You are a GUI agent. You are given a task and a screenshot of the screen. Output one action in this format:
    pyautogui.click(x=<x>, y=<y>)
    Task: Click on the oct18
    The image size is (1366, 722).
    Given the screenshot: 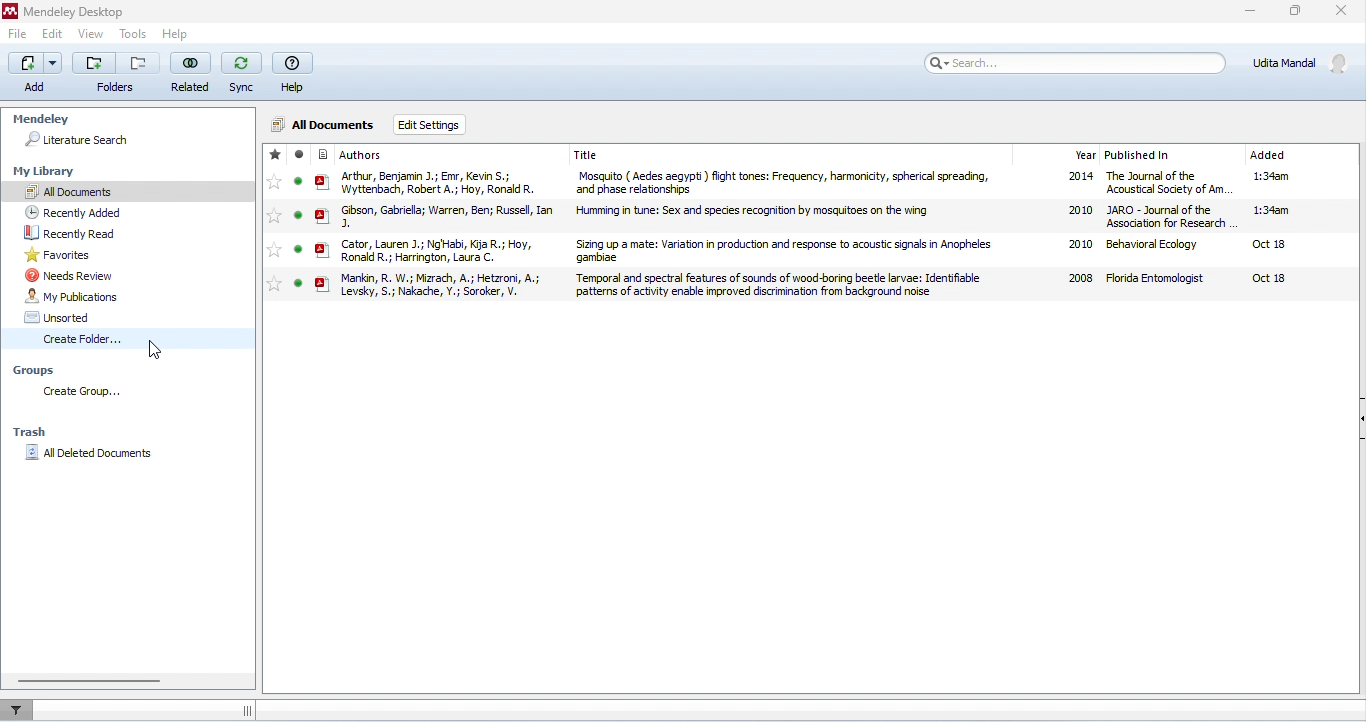 What is the action you would take?
    pyautogui.click(x=1269, y=280)
    